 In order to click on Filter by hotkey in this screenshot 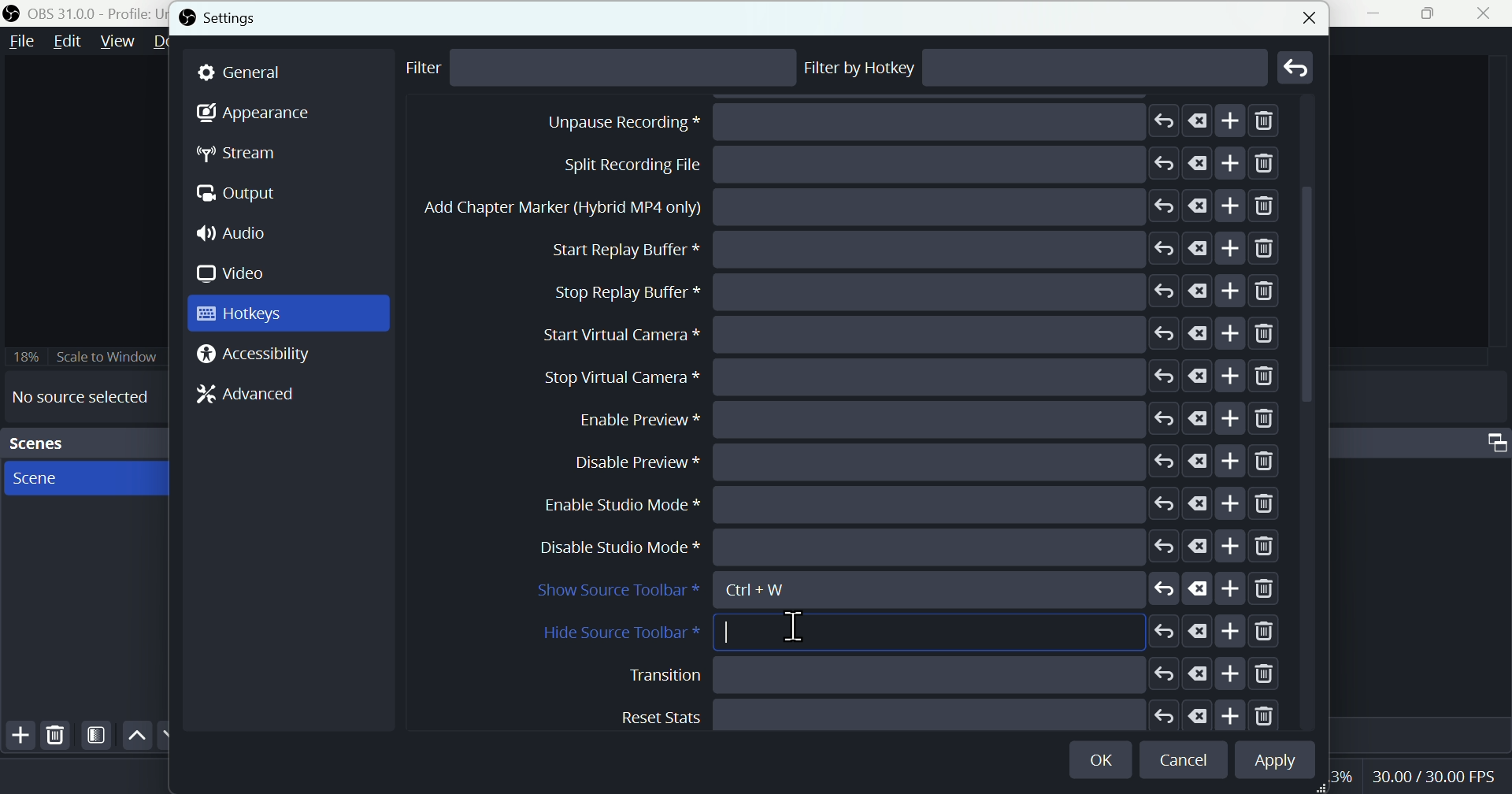, I will do `click(861, 68)`.